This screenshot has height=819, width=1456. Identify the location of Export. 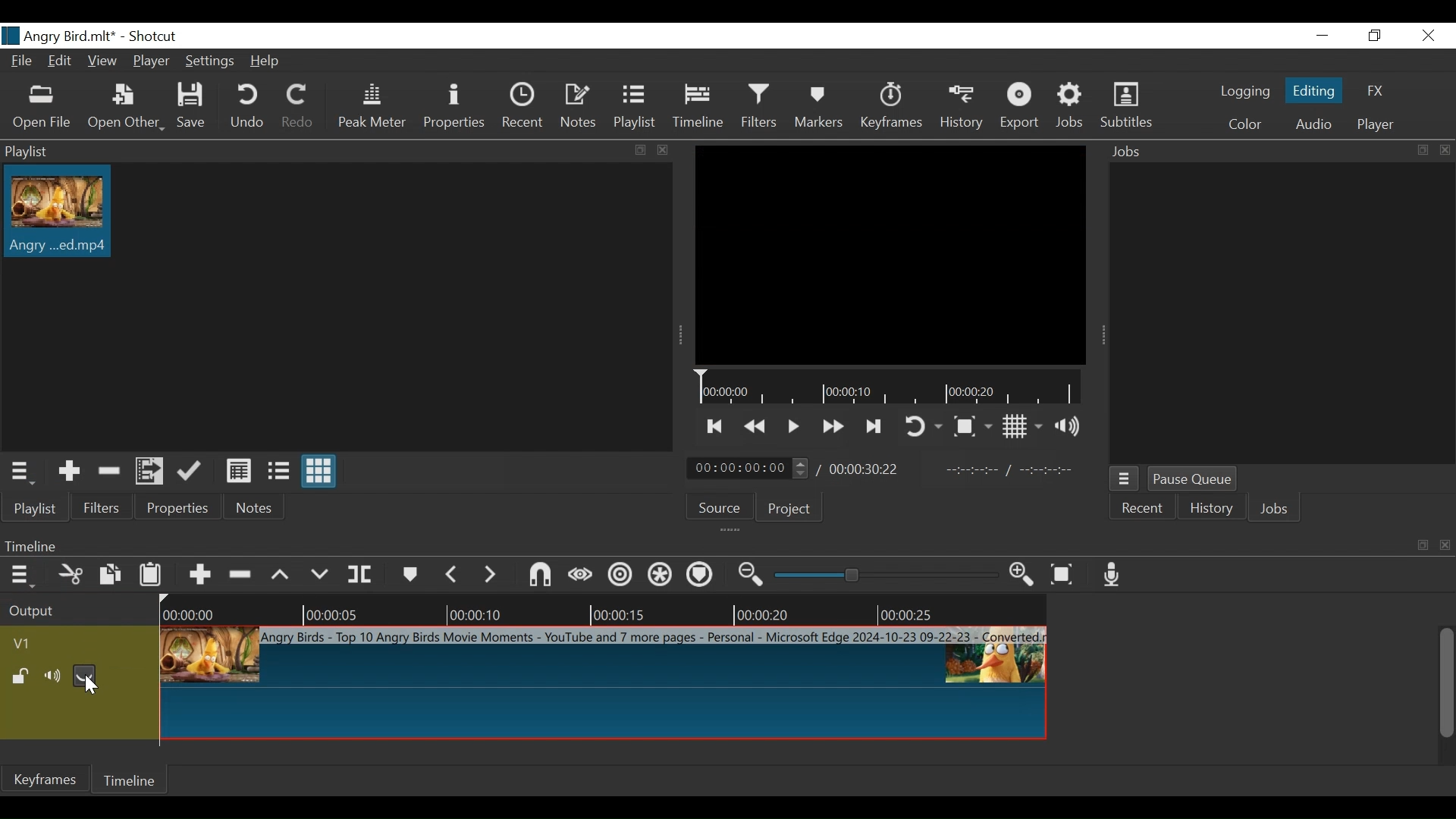
(1021, 106).